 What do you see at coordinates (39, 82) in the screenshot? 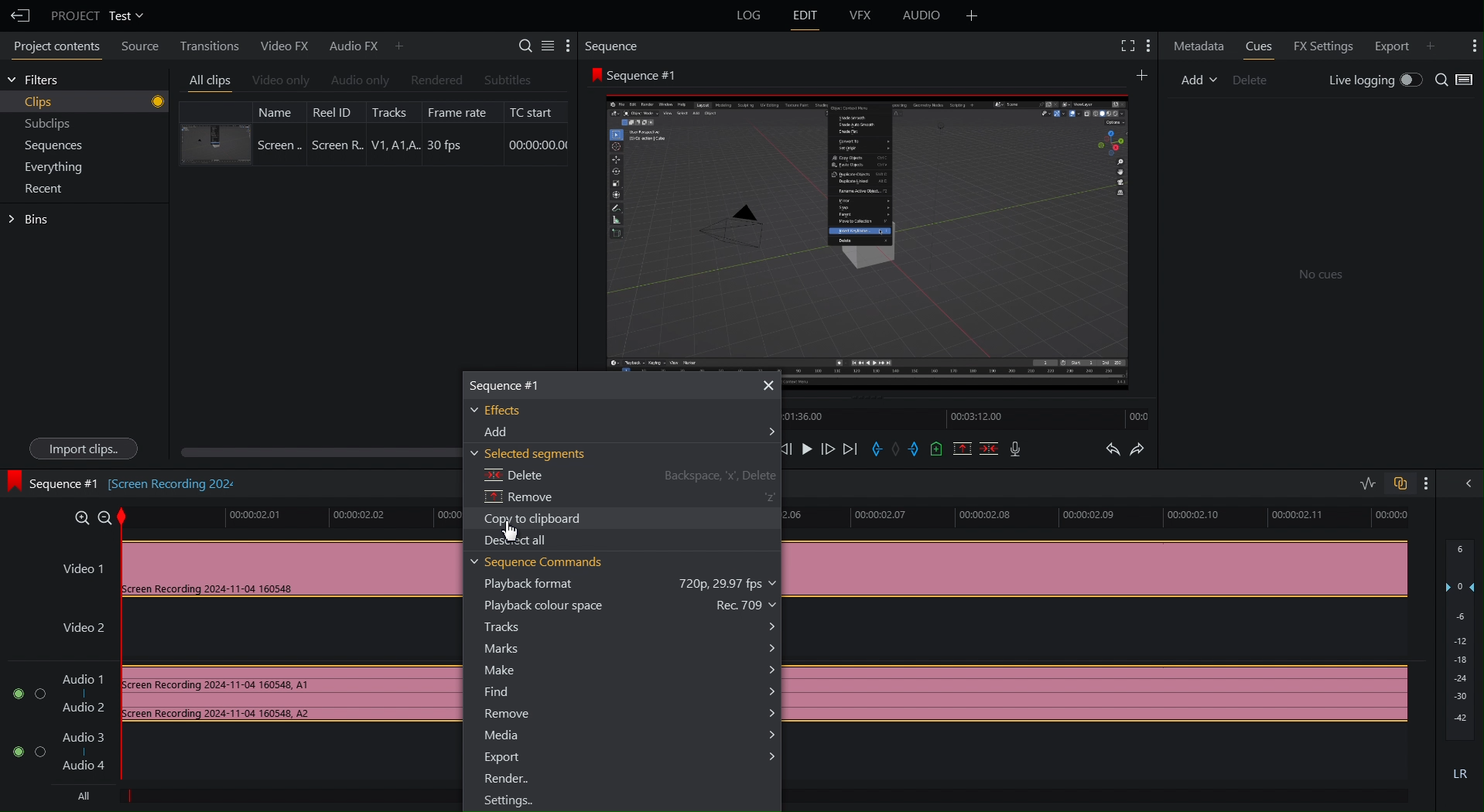
I see `Filters` at bounding box center [39, 82].